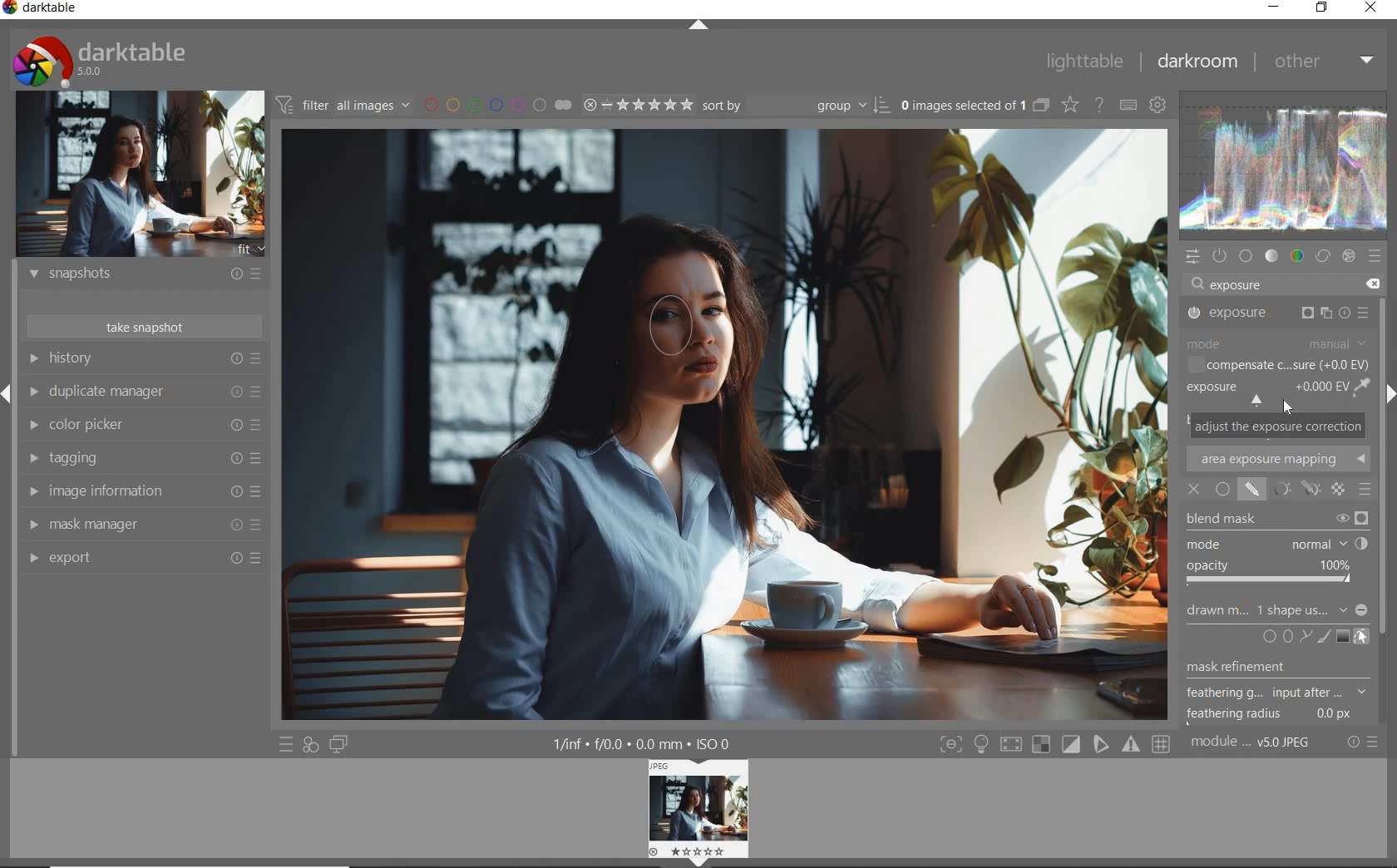 This screenshot has width=1397, height=868. I want to click on UNIFORMLY, so click(1223, 489).